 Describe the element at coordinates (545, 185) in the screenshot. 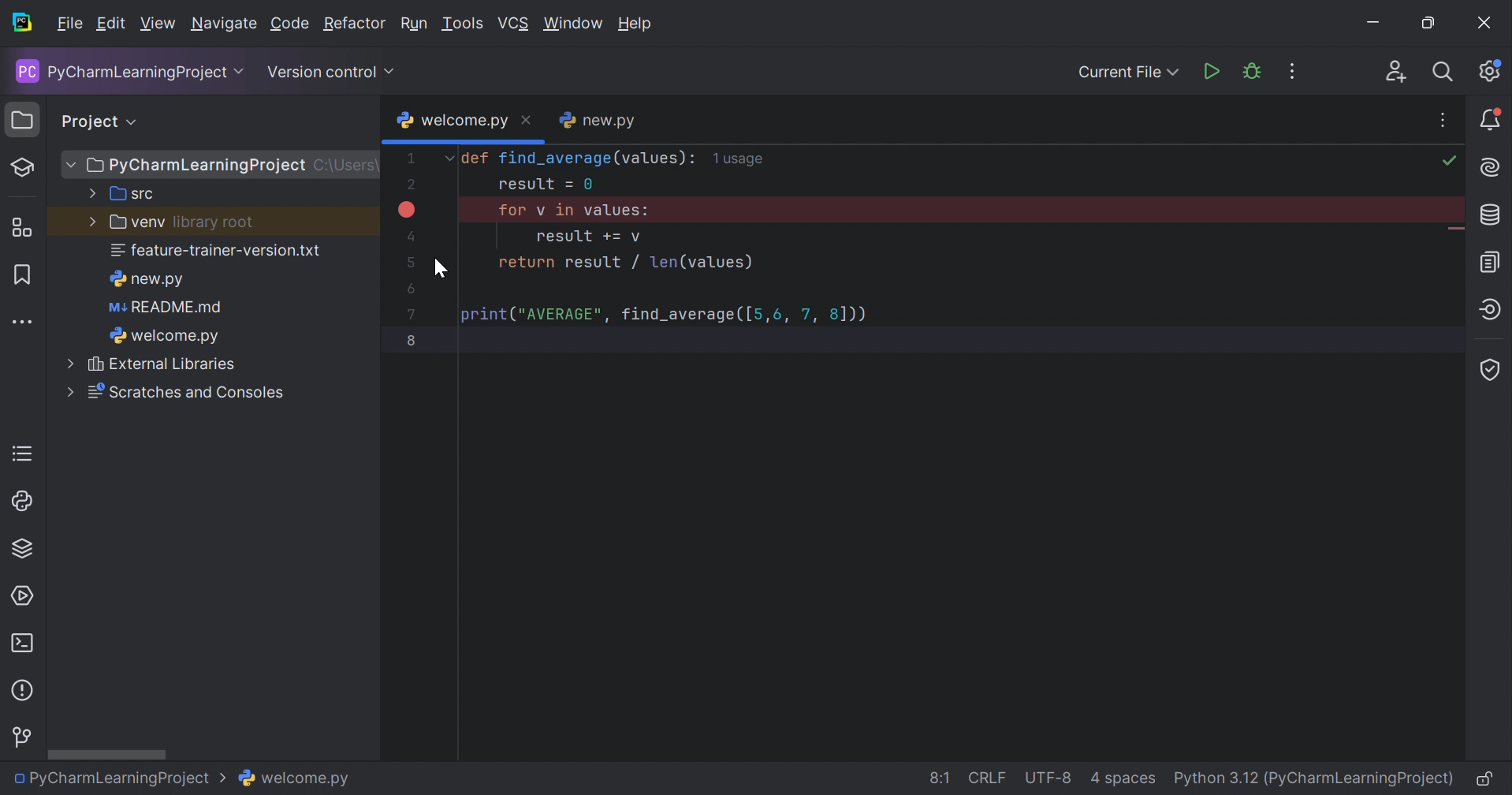

I see `result=0` at that location.